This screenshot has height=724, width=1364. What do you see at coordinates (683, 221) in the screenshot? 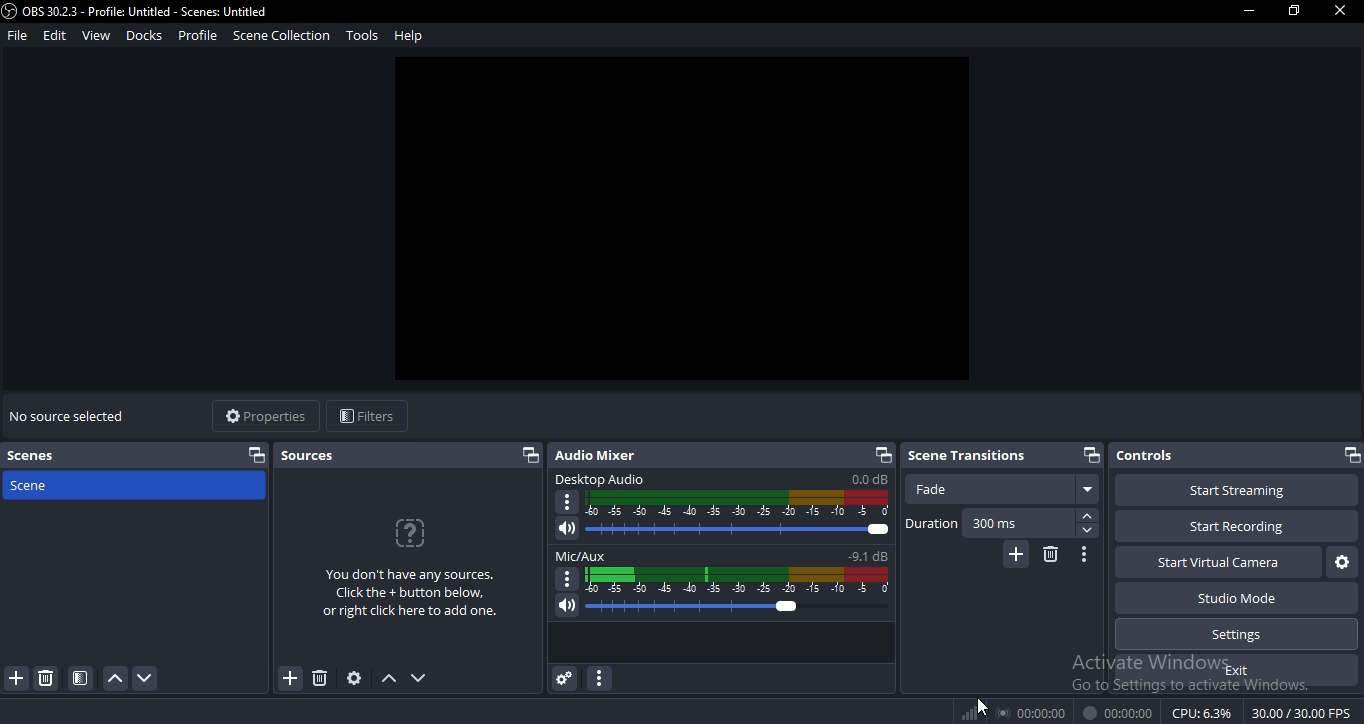
I see `image` at bounding box center [683, 221].